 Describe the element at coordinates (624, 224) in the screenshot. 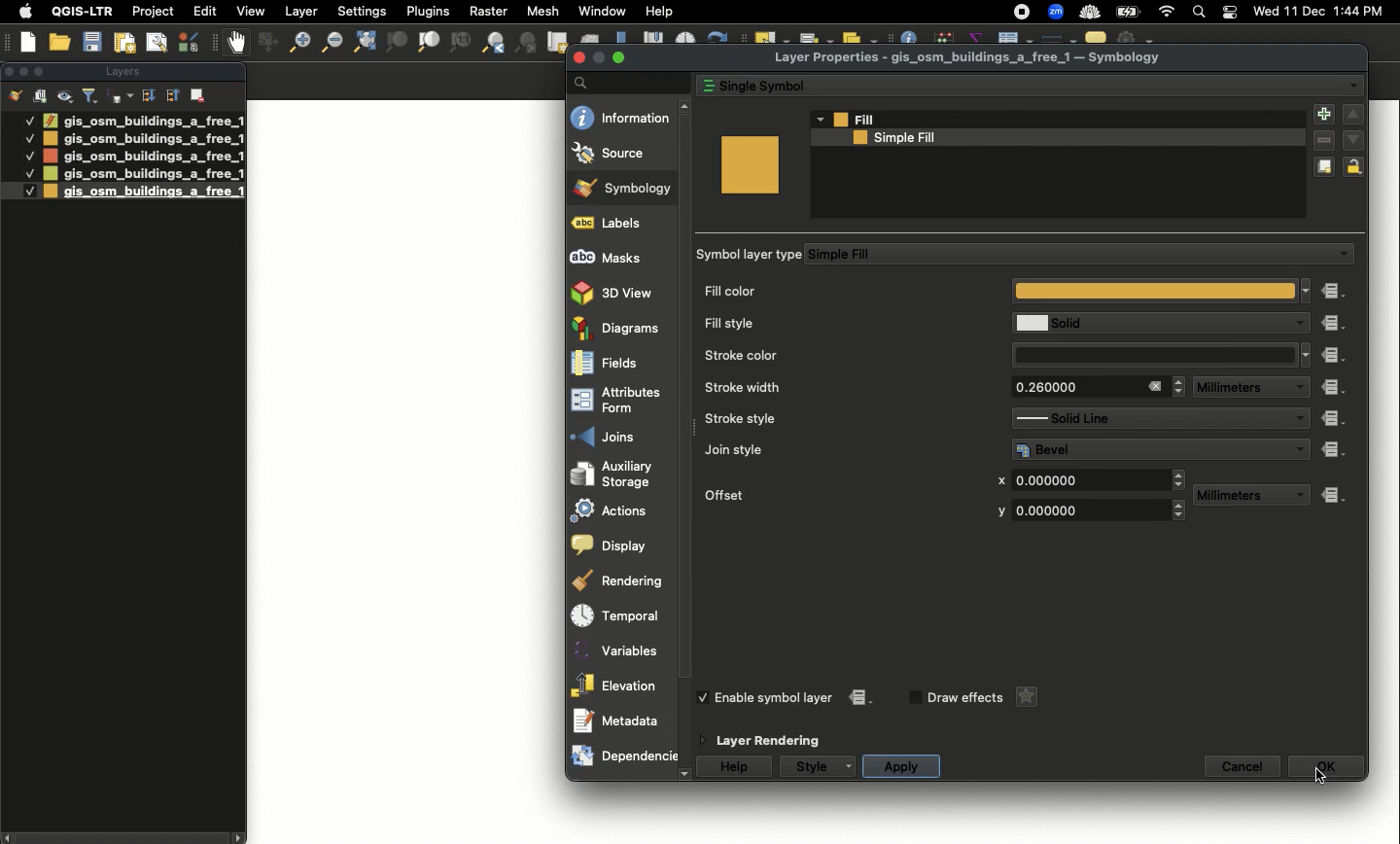

I see `Labels` at that location.